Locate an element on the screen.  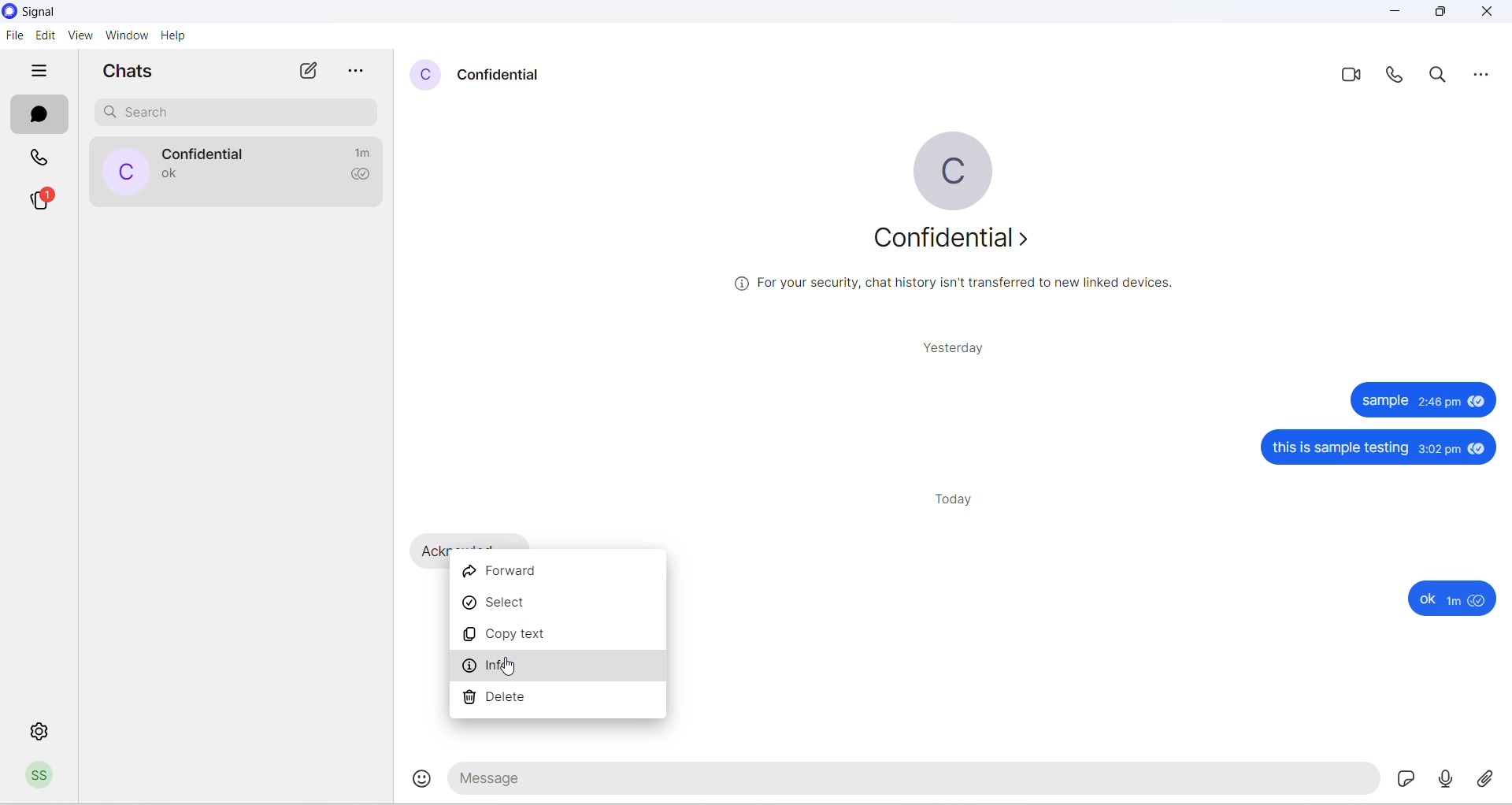
file is located at coordinates (13, 34).